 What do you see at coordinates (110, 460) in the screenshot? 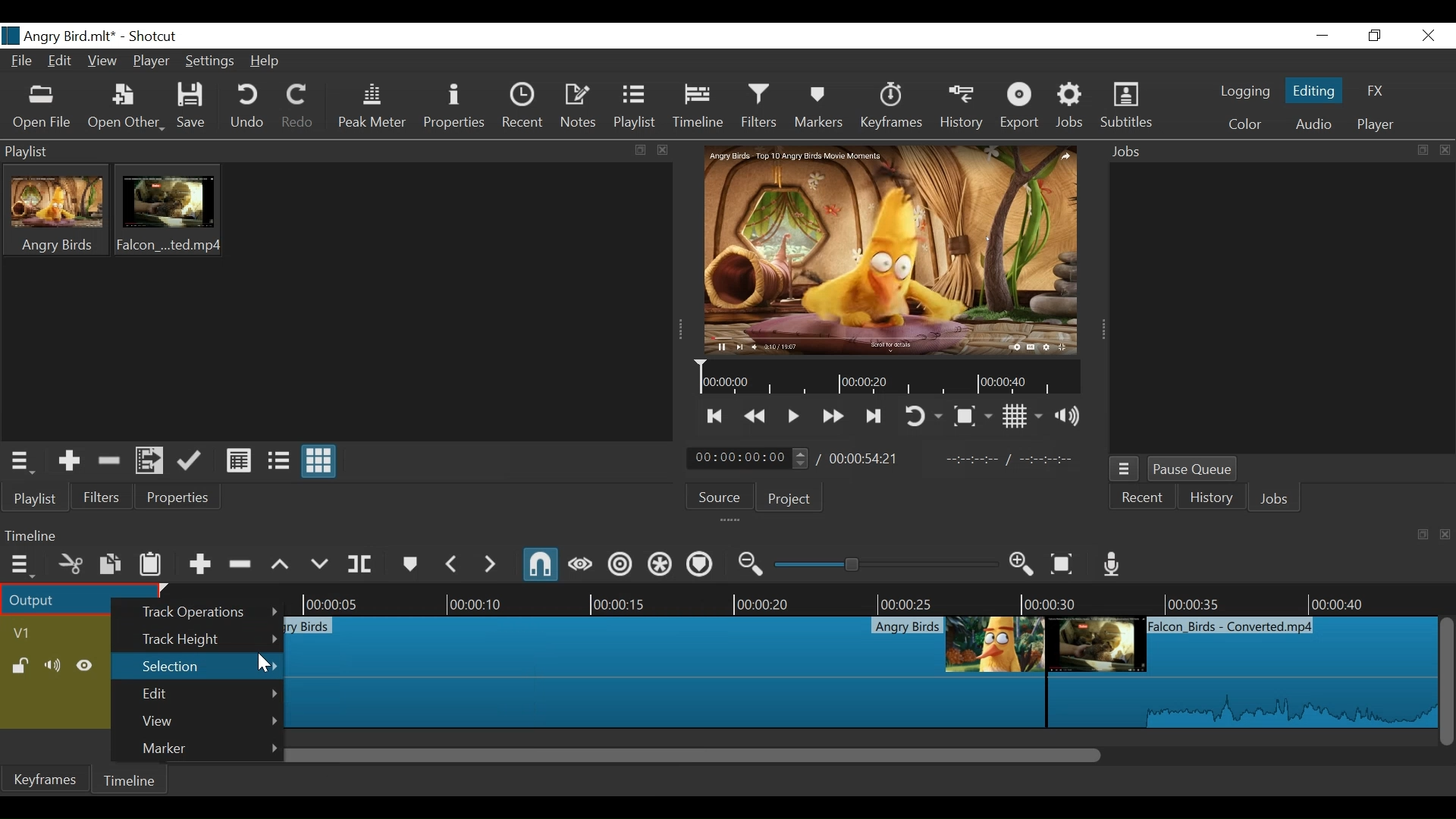
I see `Remove cut` at bounding box center [110, 460].